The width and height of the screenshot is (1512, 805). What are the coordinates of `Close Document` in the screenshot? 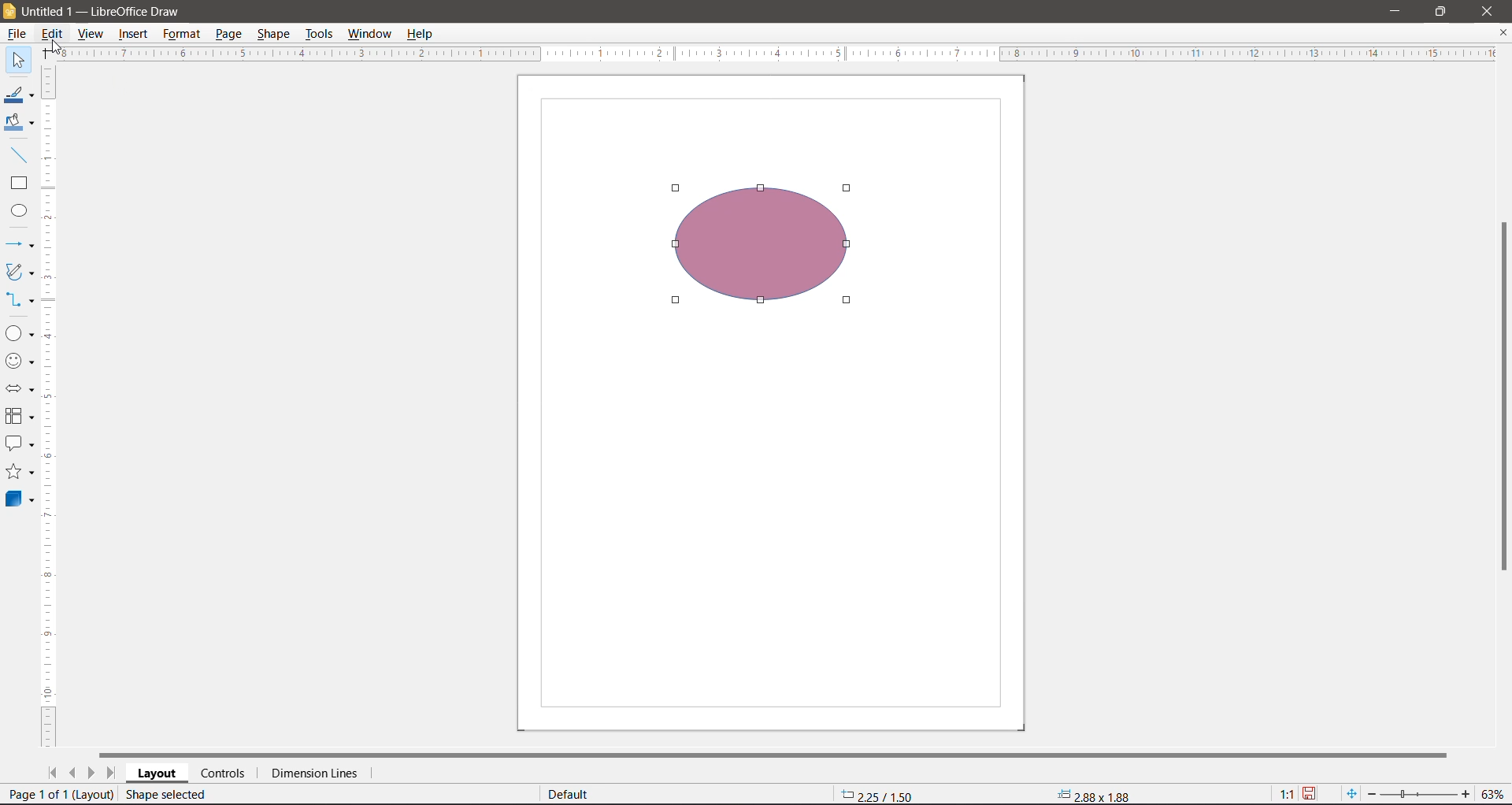 It's located at (1503, 33).